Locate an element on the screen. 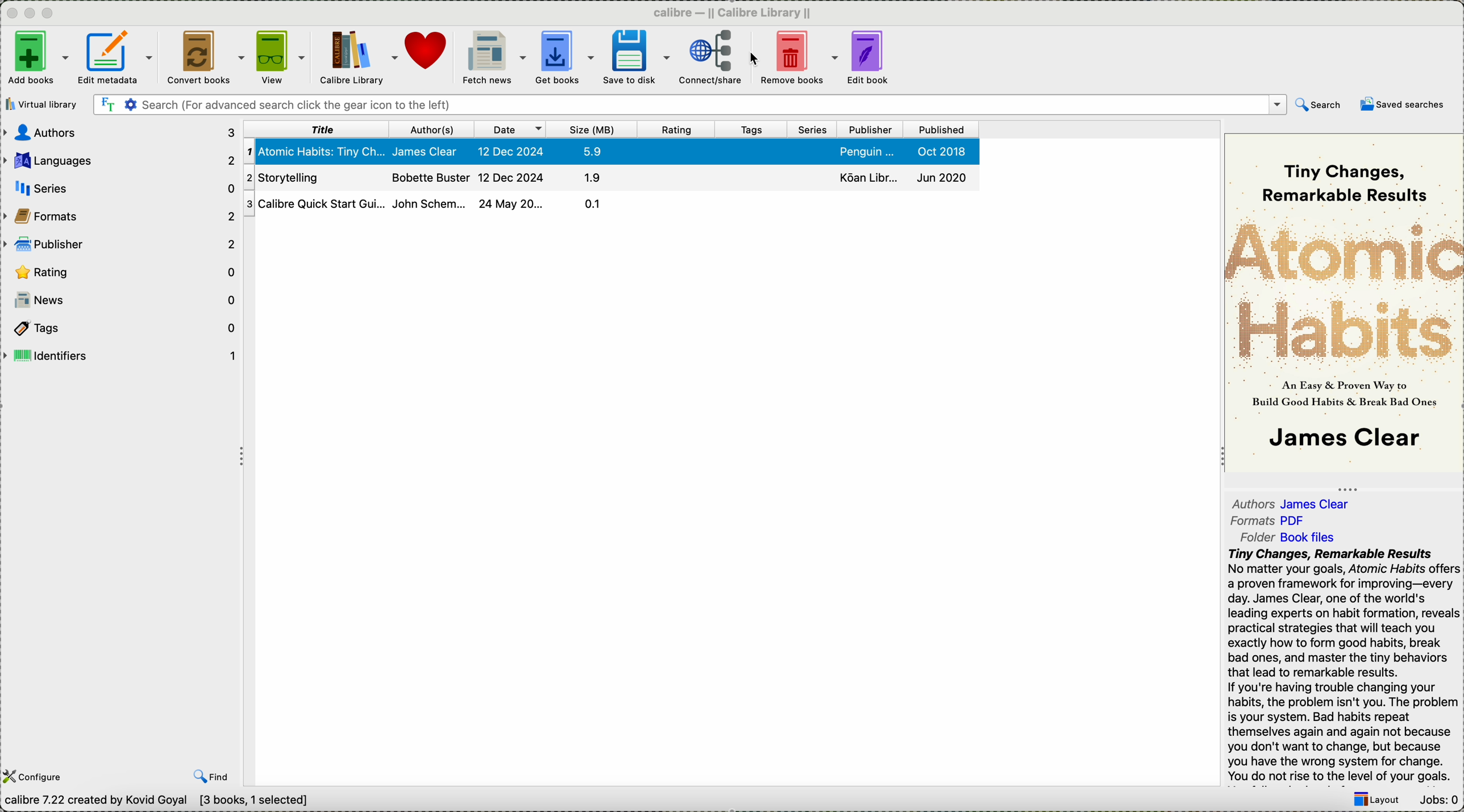 The image size is (1464, 812). layout is located at coordinates (1375, 801).